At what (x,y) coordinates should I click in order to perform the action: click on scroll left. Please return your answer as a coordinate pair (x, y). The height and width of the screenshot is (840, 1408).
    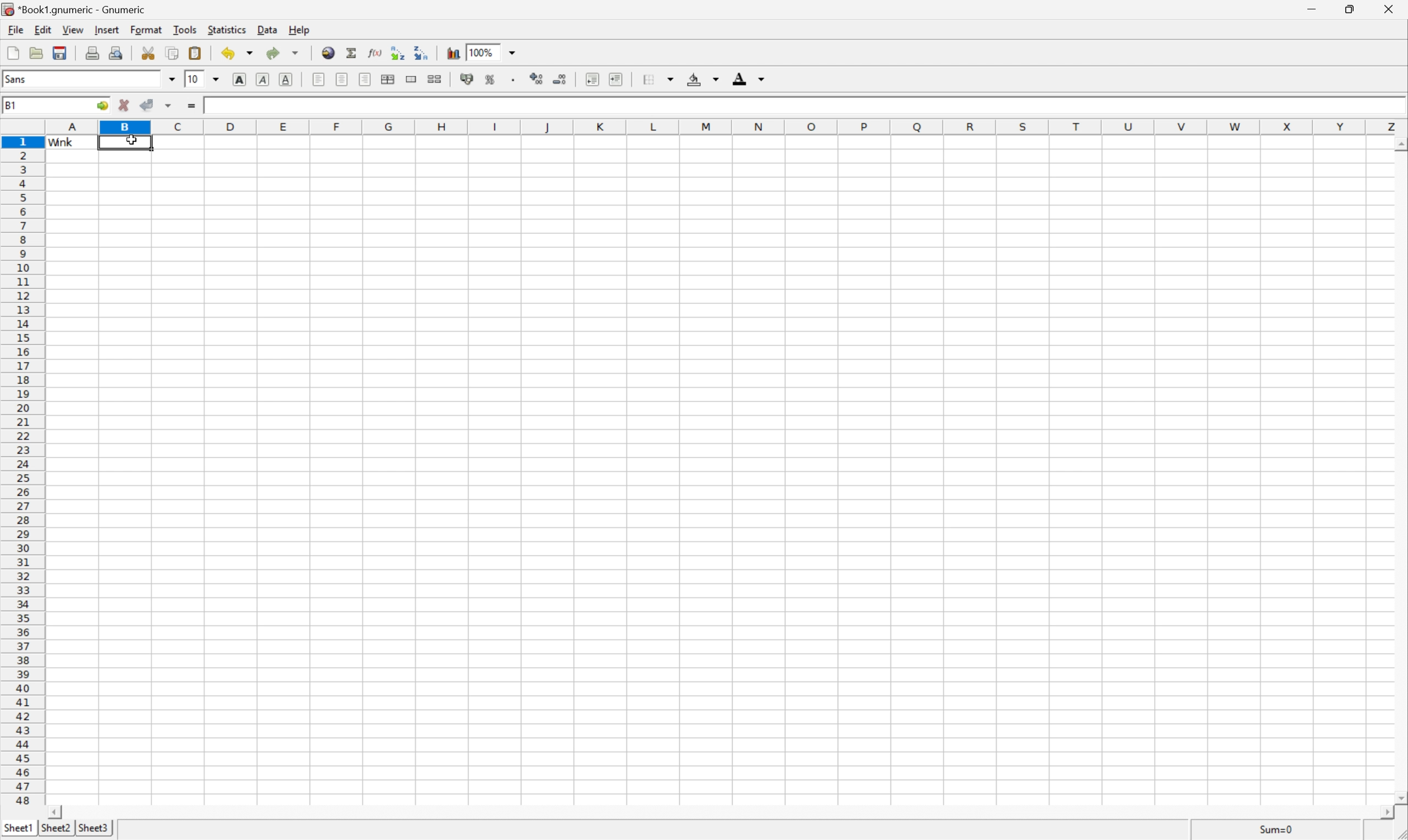
    Looking at the image, I should click on (1385, 811).